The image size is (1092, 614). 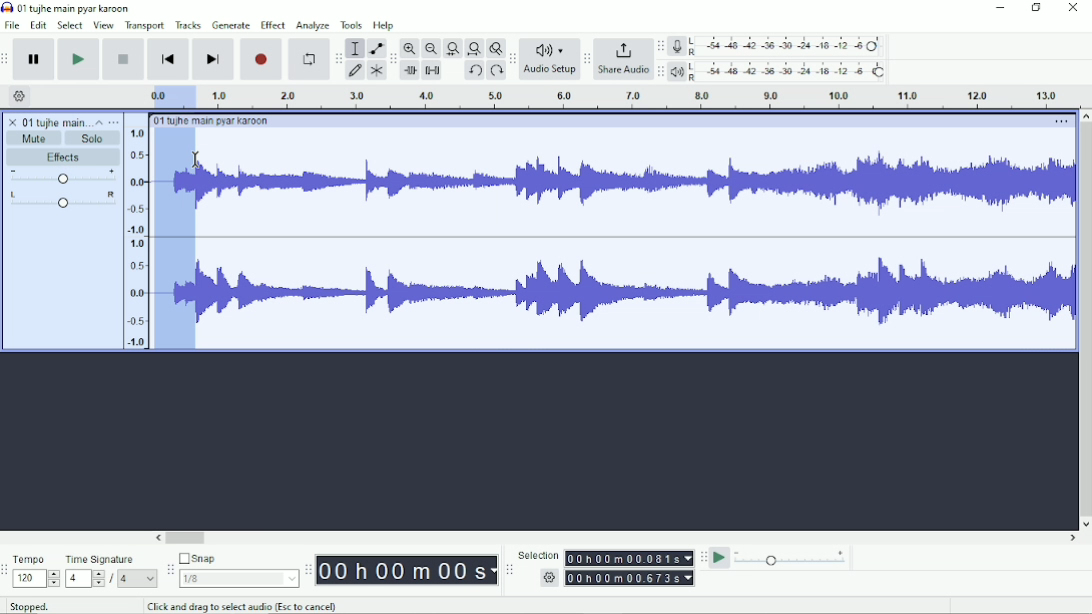 What do you see at coordinates (375, 49) in the screenshot?
I see `Envelope tool` at bounding box center [375, 49].